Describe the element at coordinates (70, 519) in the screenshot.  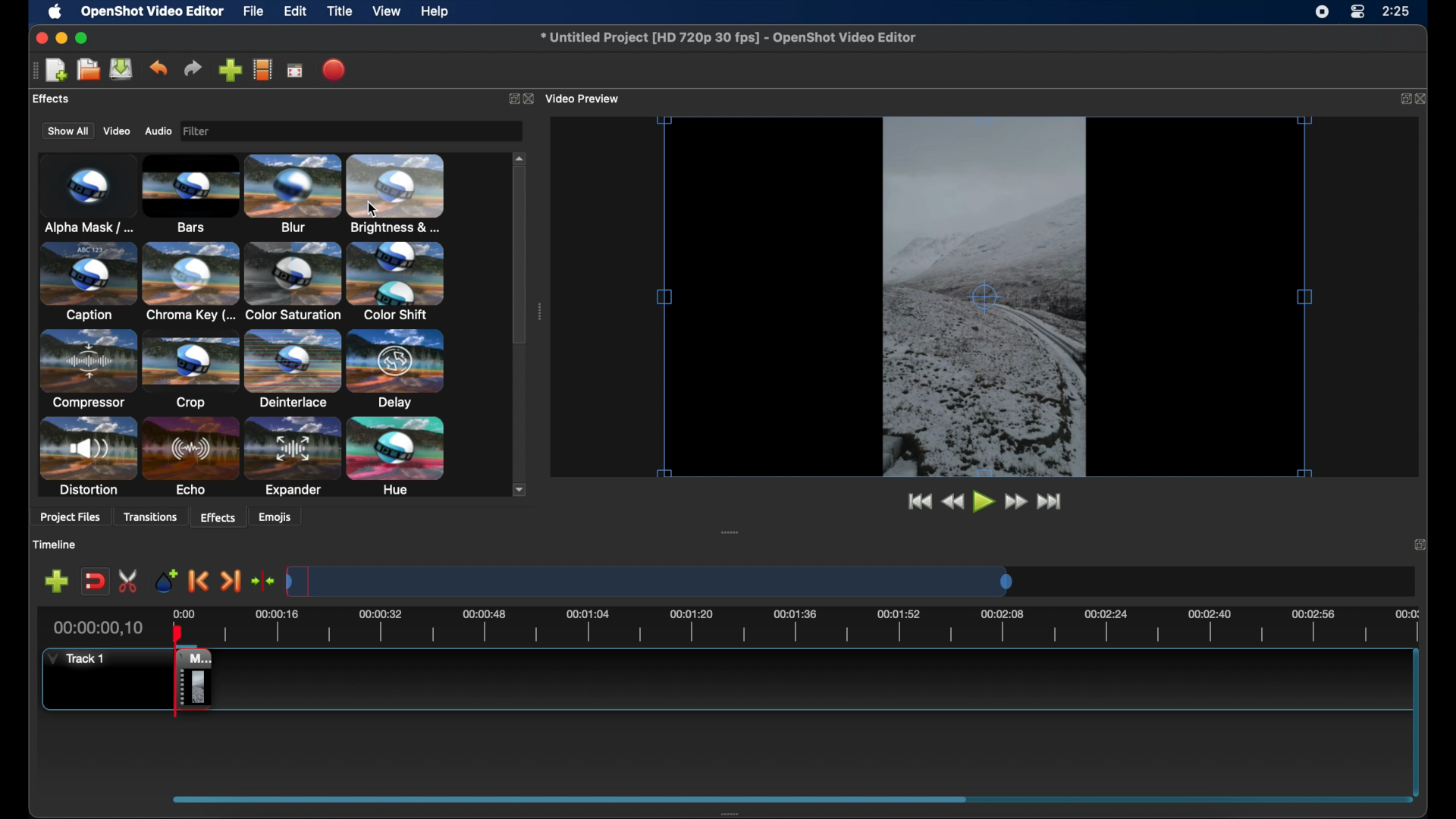
I see `project files` at that location.